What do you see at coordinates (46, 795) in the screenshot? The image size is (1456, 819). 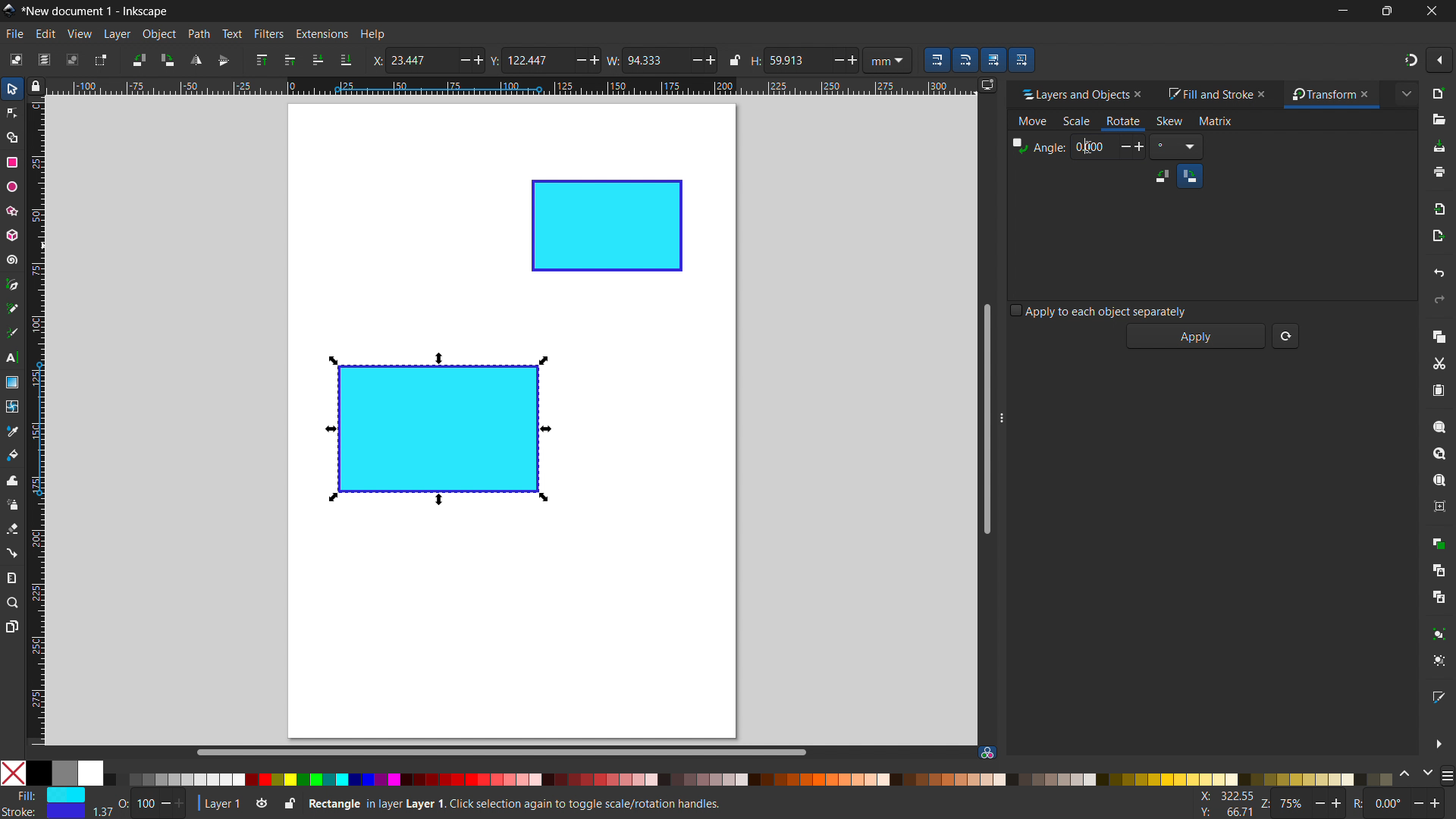 I see `Fill` at bounding box center [46, 795].